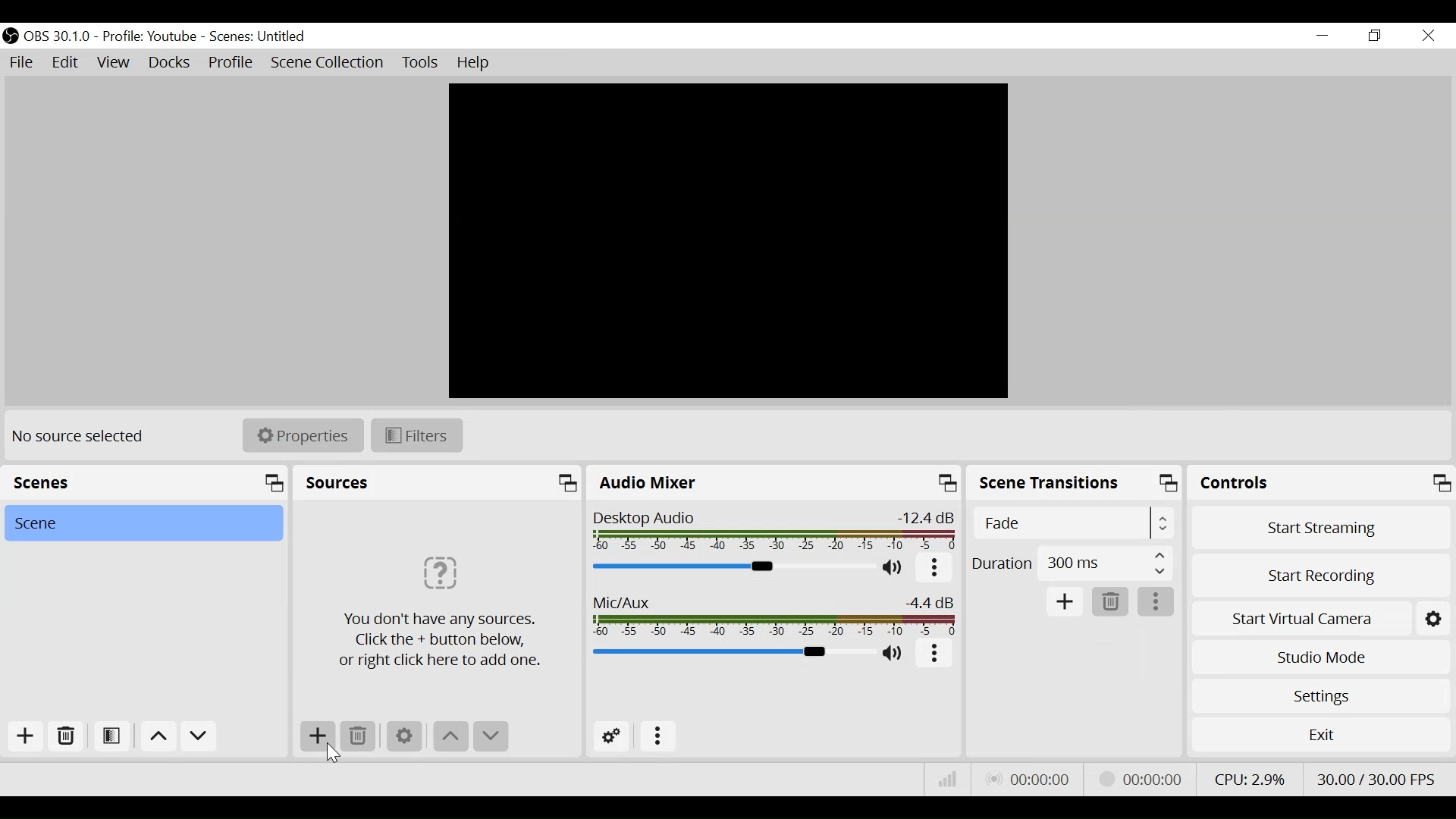  What do you see at coordinates (403, 736) in the screenshot?
I see `Settings` at bounding box center [403, 736].